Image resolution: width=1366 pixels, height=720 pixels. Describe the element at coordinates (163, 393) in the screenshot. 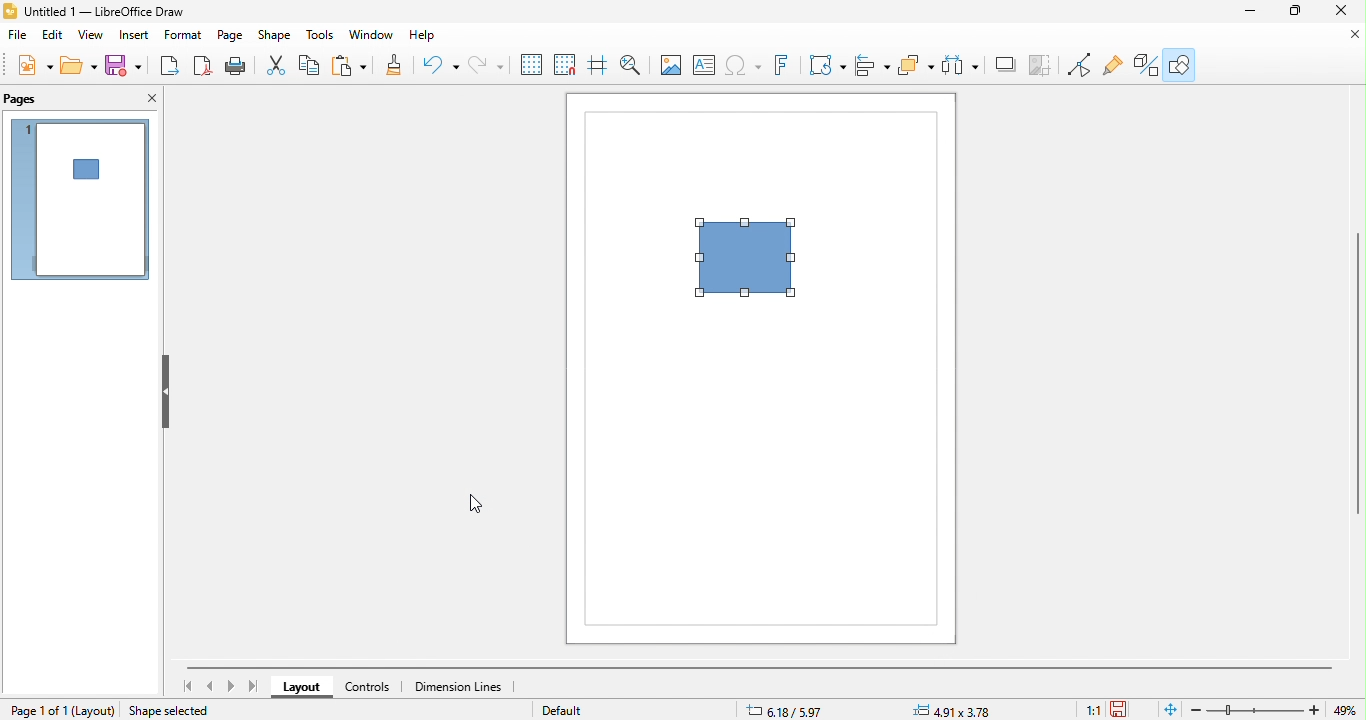

I see `hide` at that location.